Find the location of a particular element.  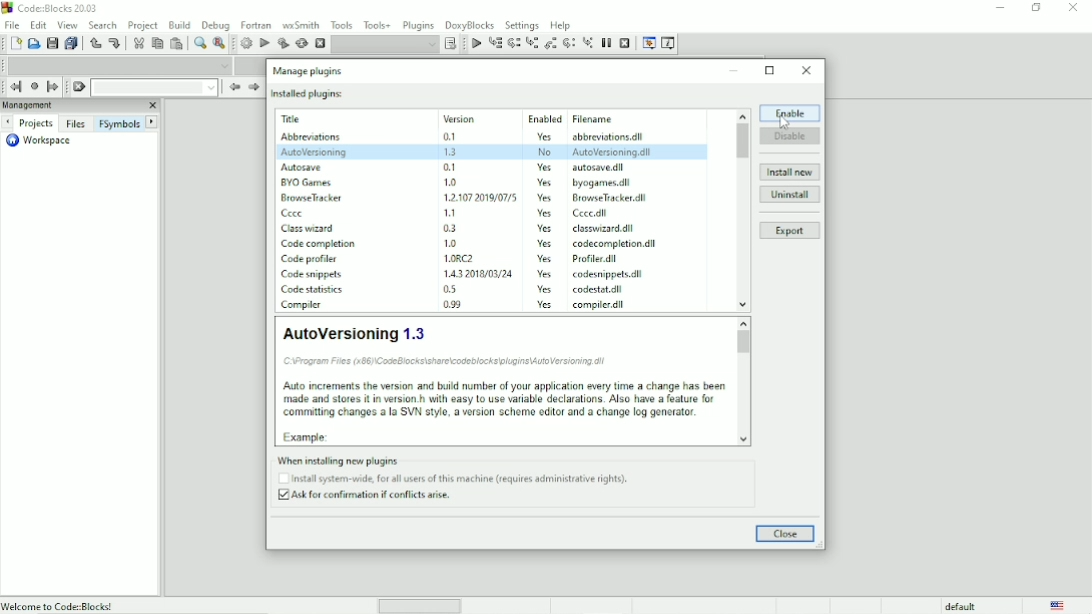

selected plugin  is located at coordinates (492, 151).